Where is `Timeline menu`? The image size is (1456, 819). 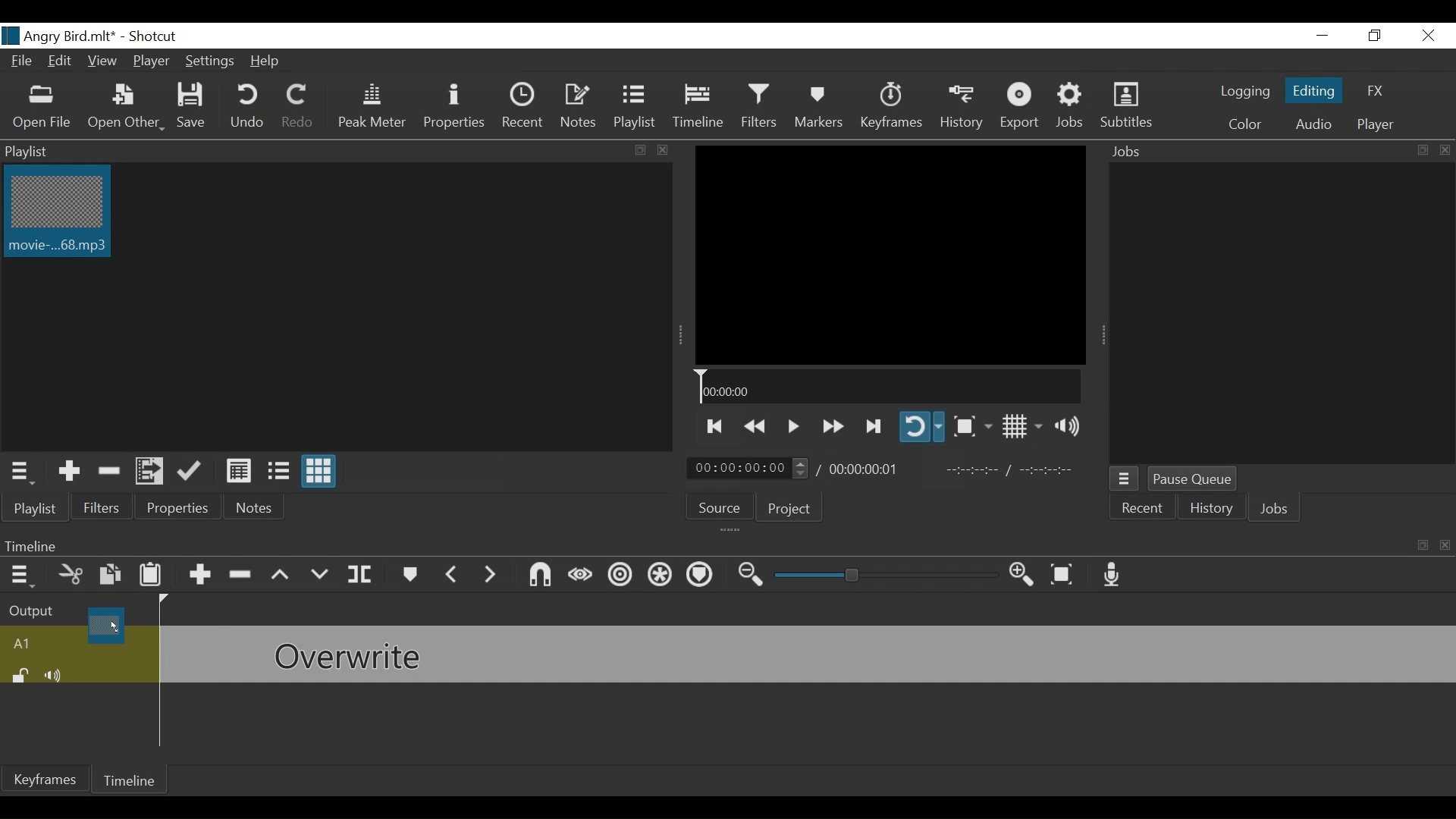
Timeline menu is located at coordinates (704, 546).